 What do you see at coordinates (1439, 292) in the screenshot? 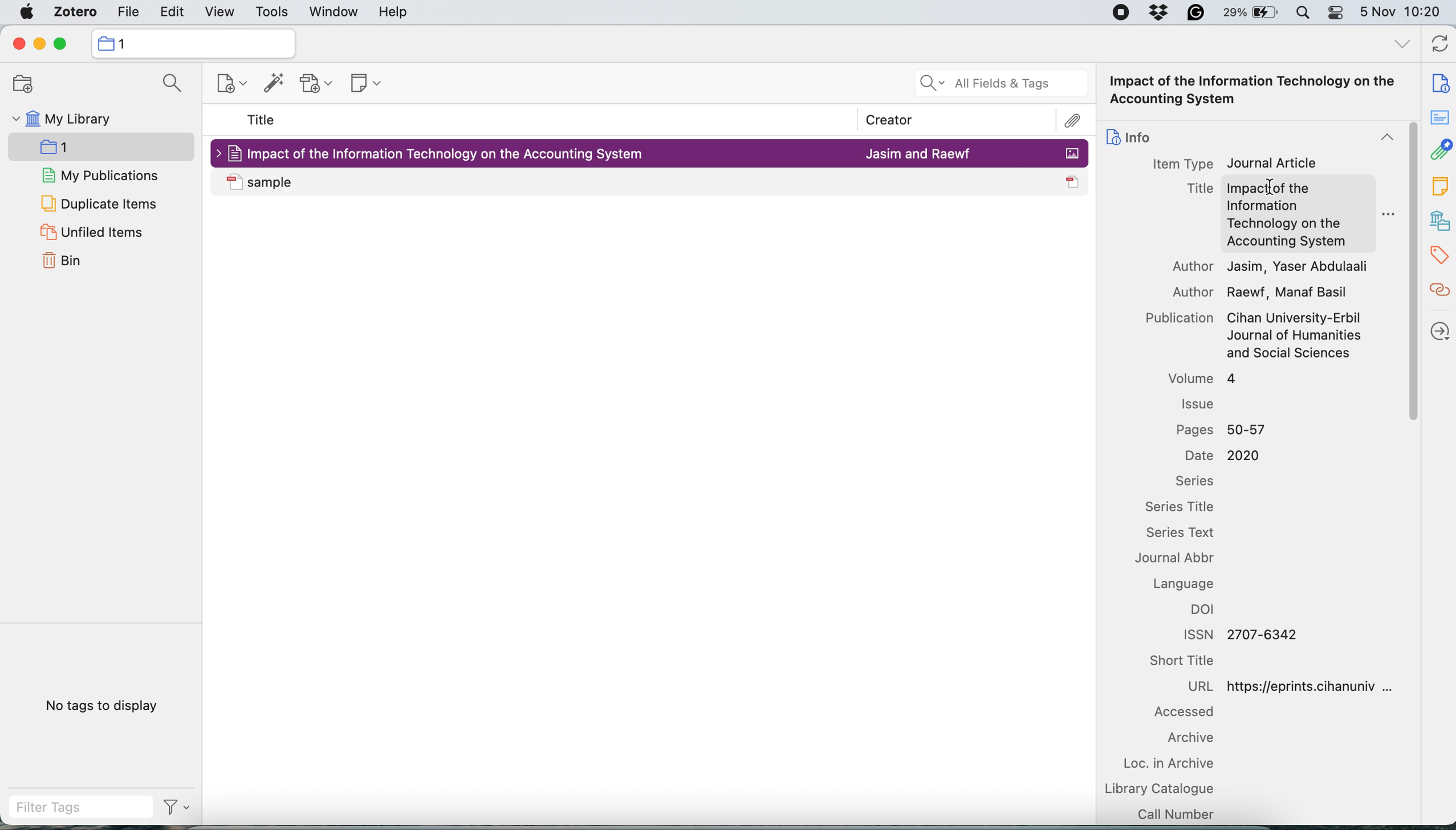
I see `related` at bounding box center [1439, 292].